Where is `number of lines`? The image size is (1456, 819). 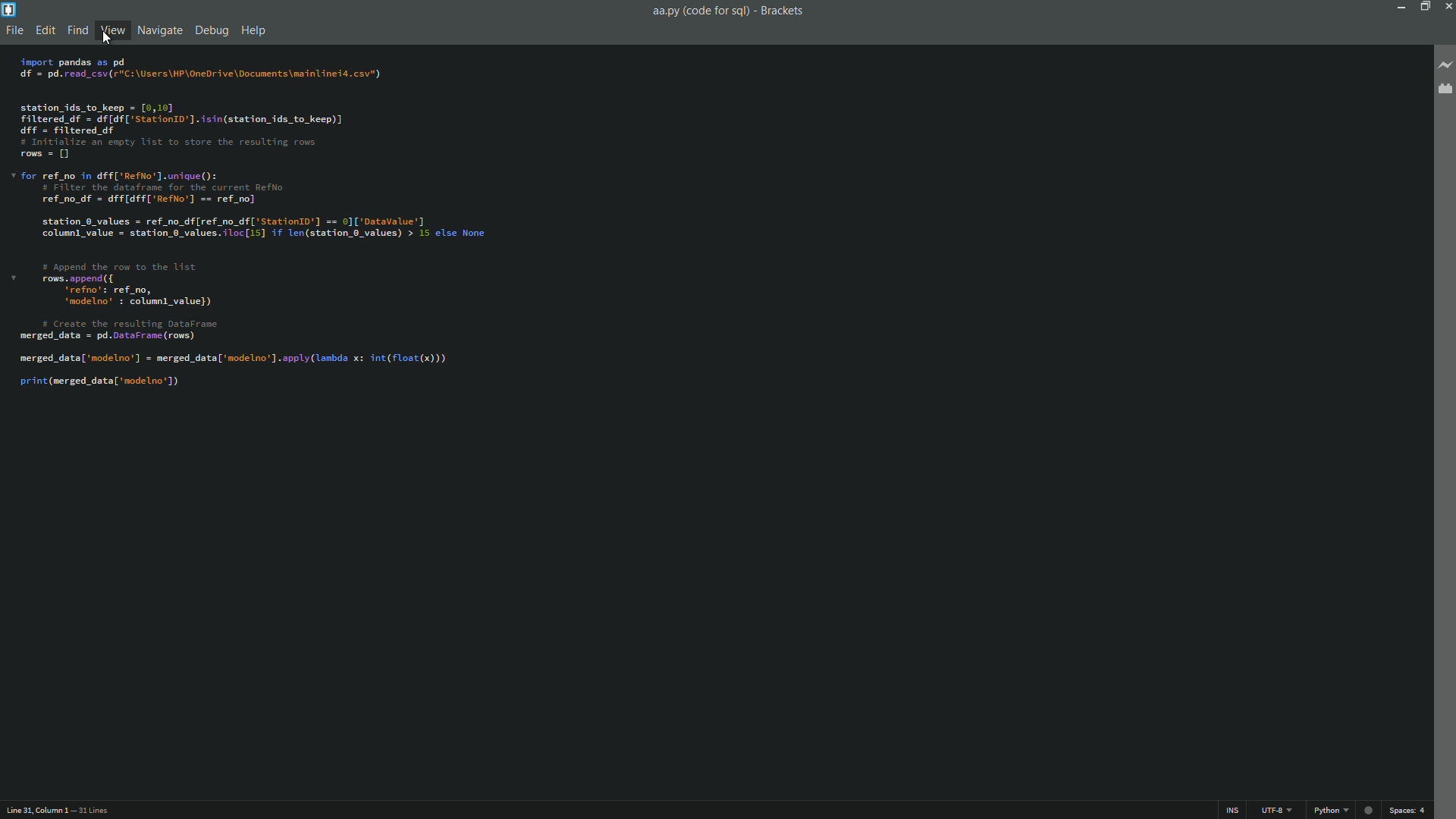
number of lines is located at coordinates (95, 810).